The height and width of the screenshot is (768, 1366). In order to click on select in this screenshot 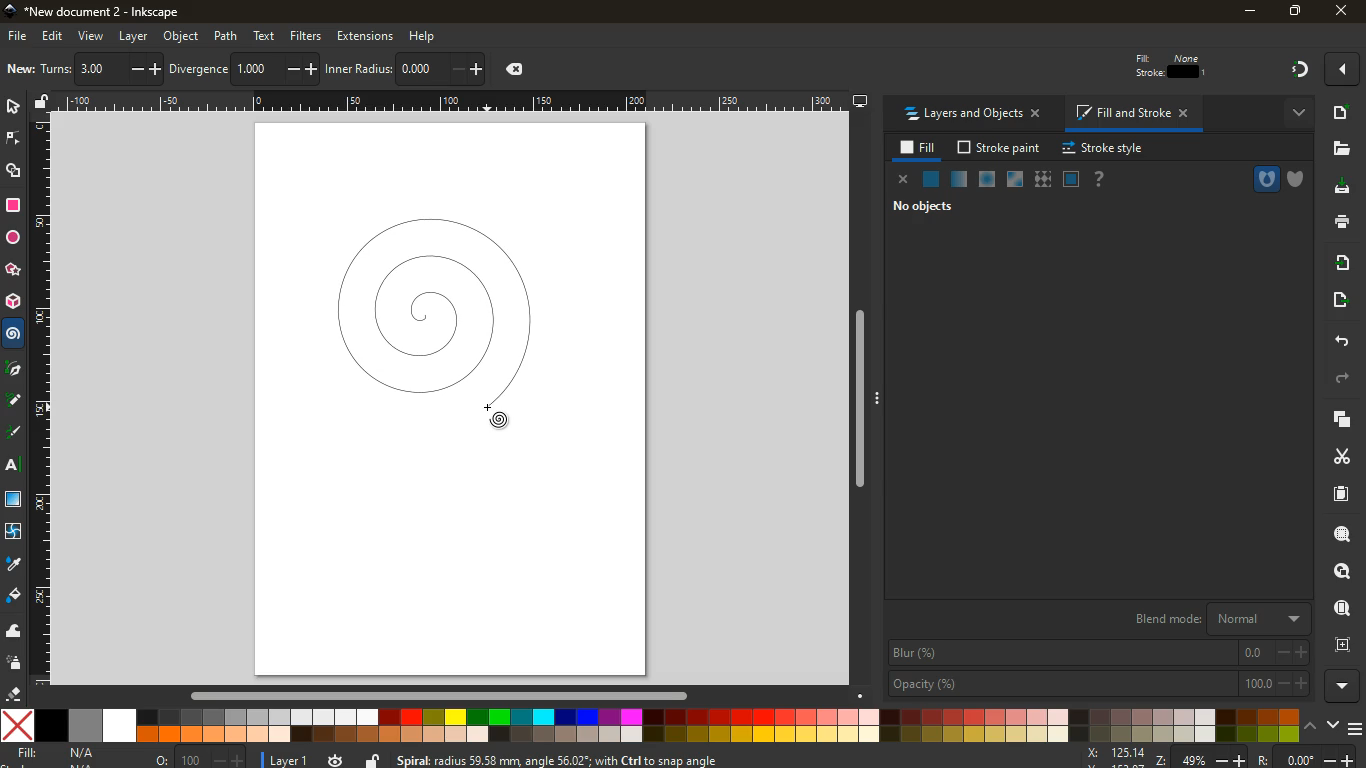, I will do `click(146, 71)`.